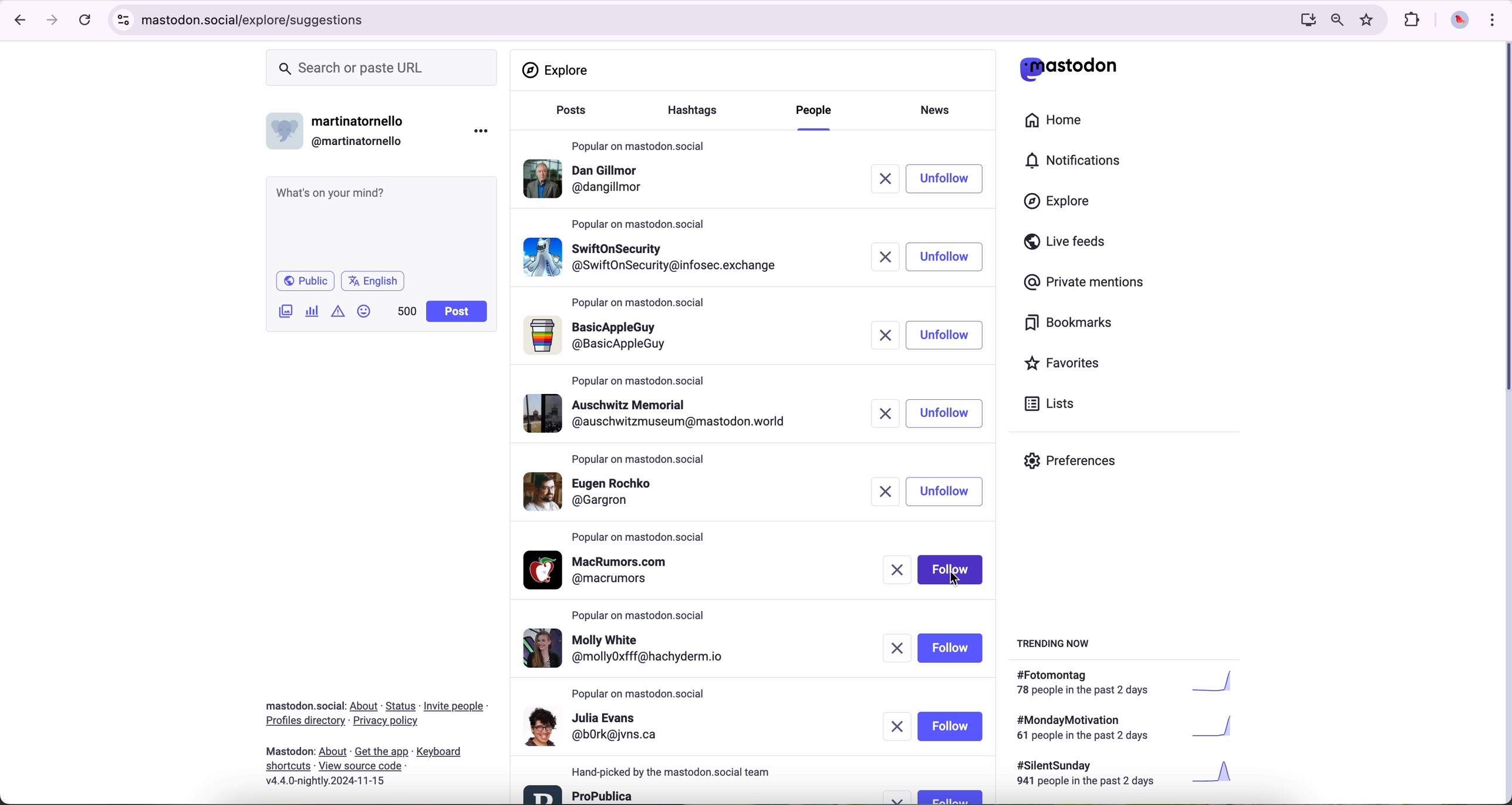 The image size is (1512, 805). What do you see at coordinates (946, 413) in the screenshot?
I see `unfollow` at bounding box center [946, 413].